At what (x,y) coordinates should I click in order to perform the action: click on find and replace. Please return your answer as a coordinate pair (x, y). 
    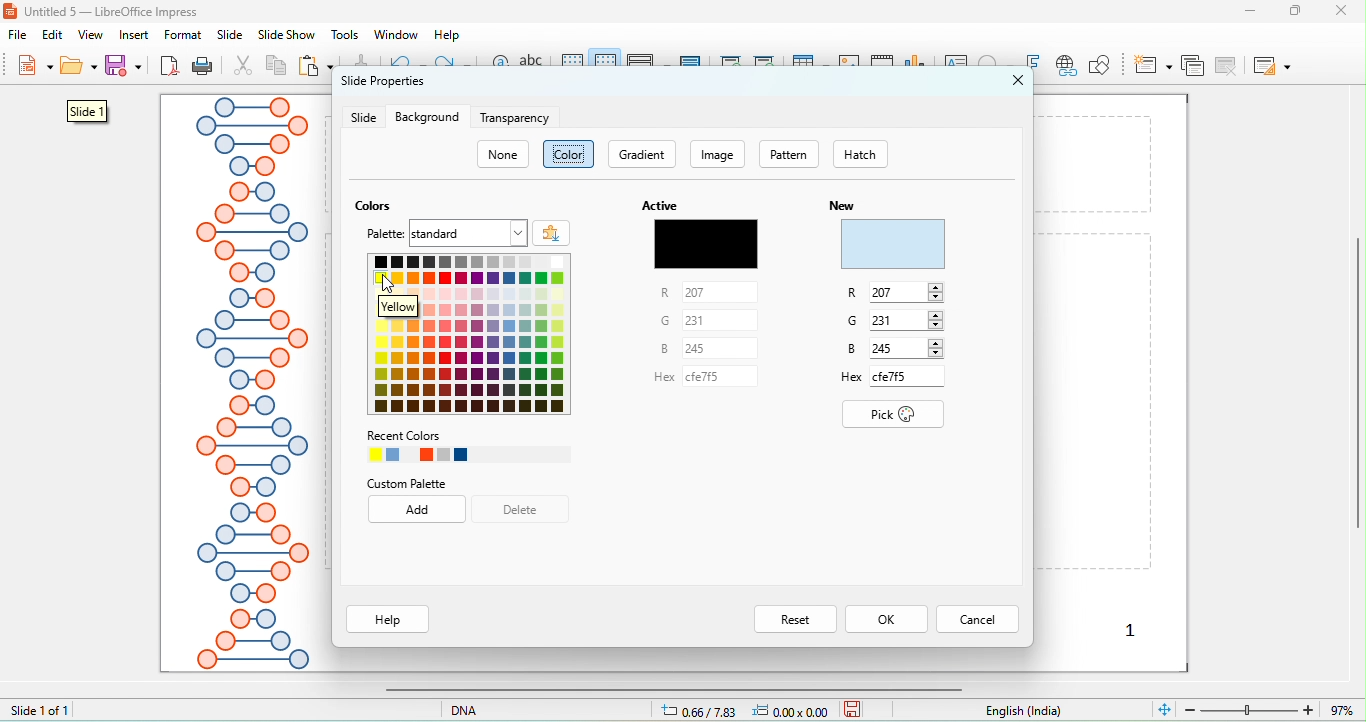
    Looking at the image, I should click on (499, 68).